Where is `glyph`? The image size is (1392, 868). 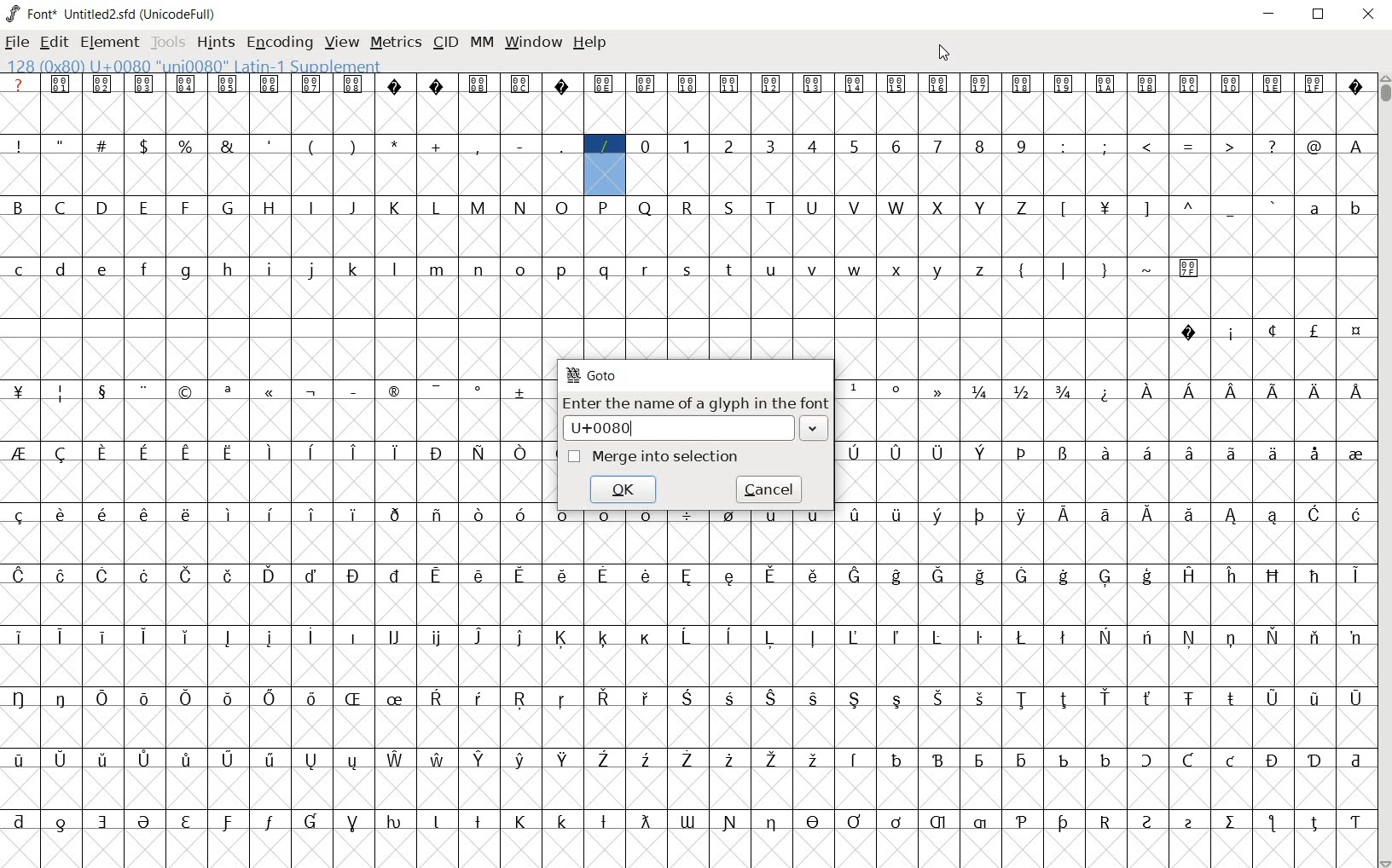 glyph is located at coordinates (562, 146).